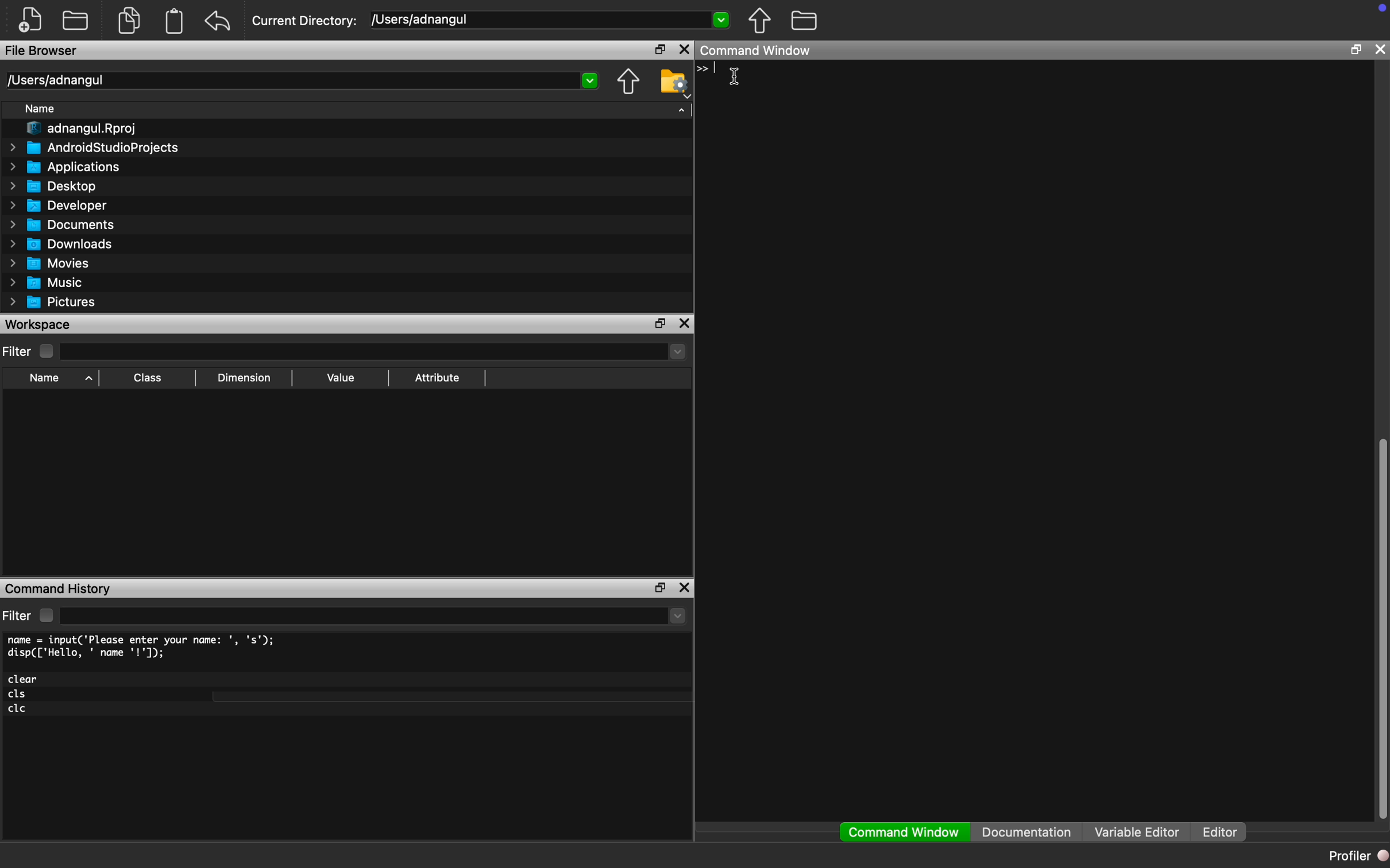 Image resolution: width=1390 pixels, height=868 pixels. What do you see at coordinates (1380, 49) in the screenshot?
I see `close` at bounding box center [1380, 49].